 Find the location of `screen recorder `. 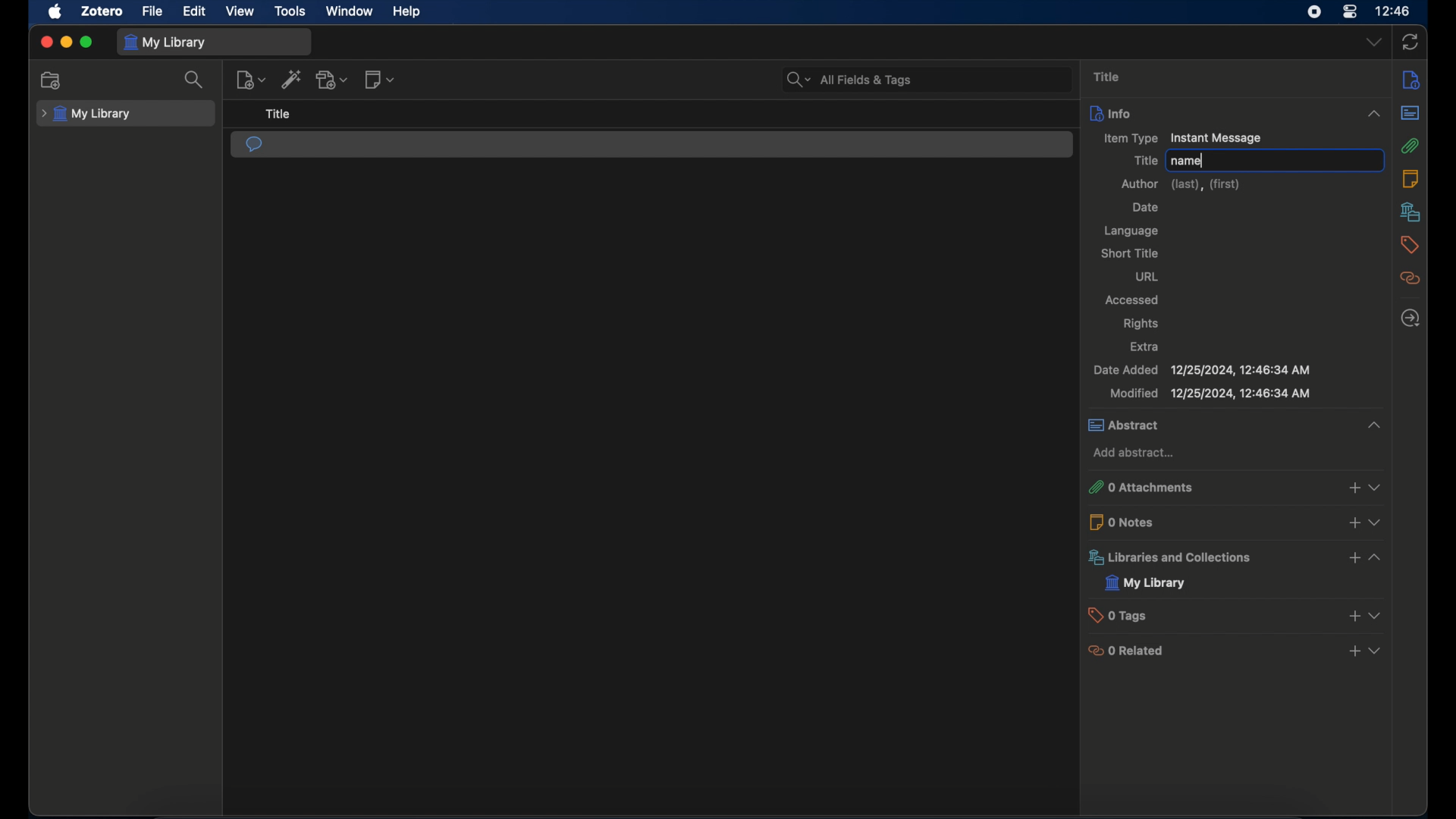

screen recorder  is located at coordinates (1313, 12).